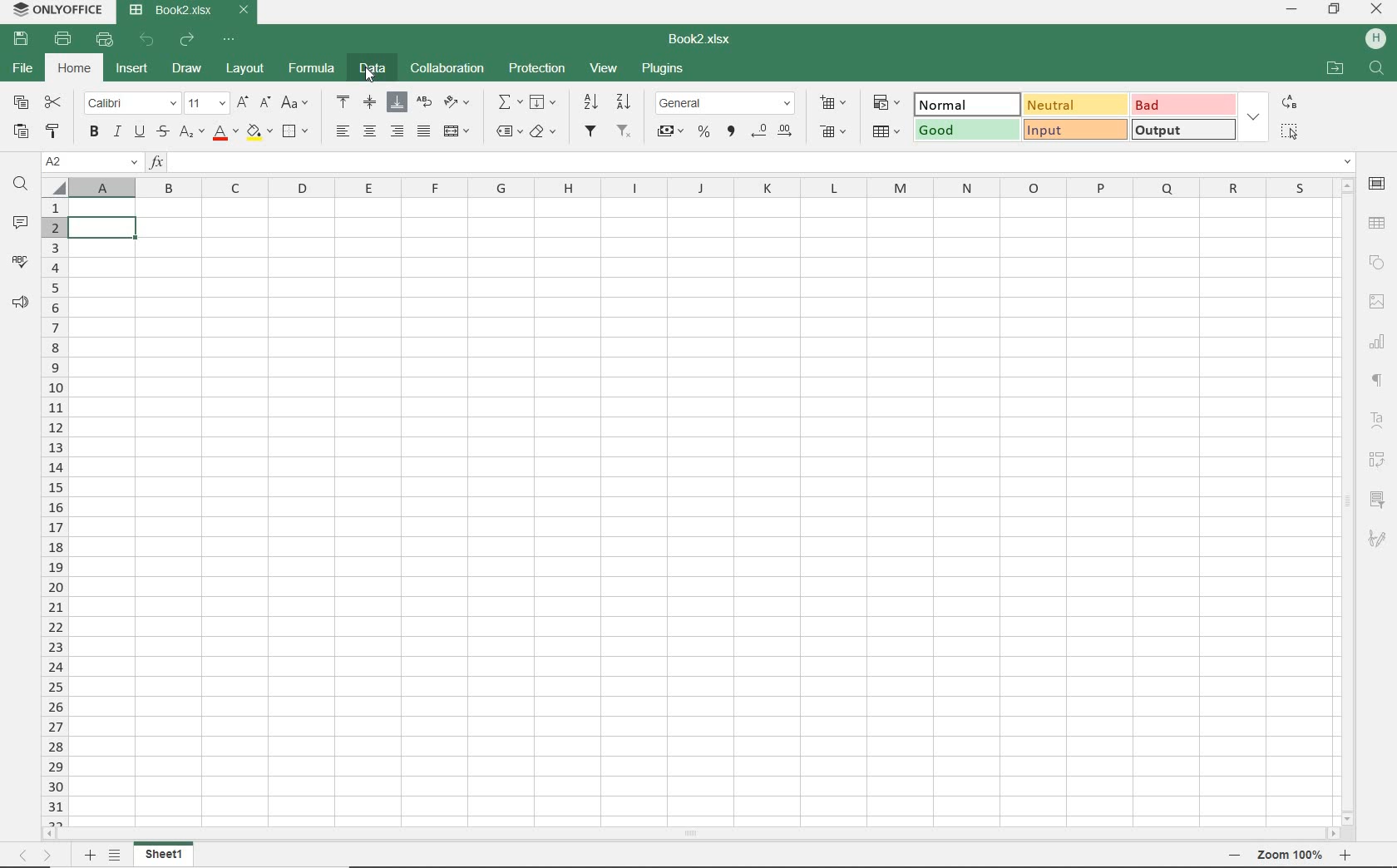 The image size is (1397, 868). I want to click on FIND, so click(19, 185).